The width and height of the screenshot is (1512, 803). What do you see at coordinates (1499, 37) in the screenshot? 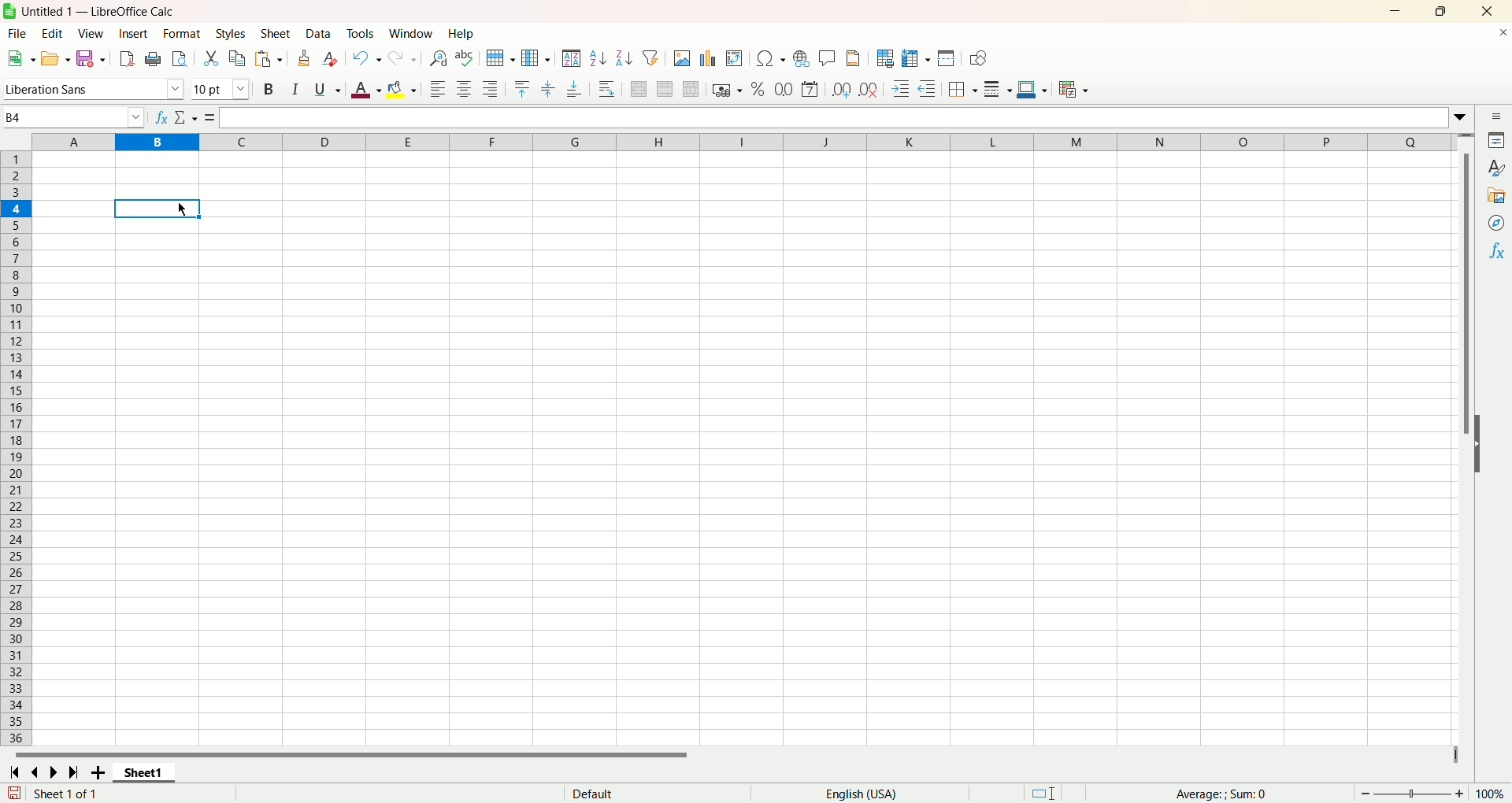
I see `close document` at bounding box center [1499, 37].